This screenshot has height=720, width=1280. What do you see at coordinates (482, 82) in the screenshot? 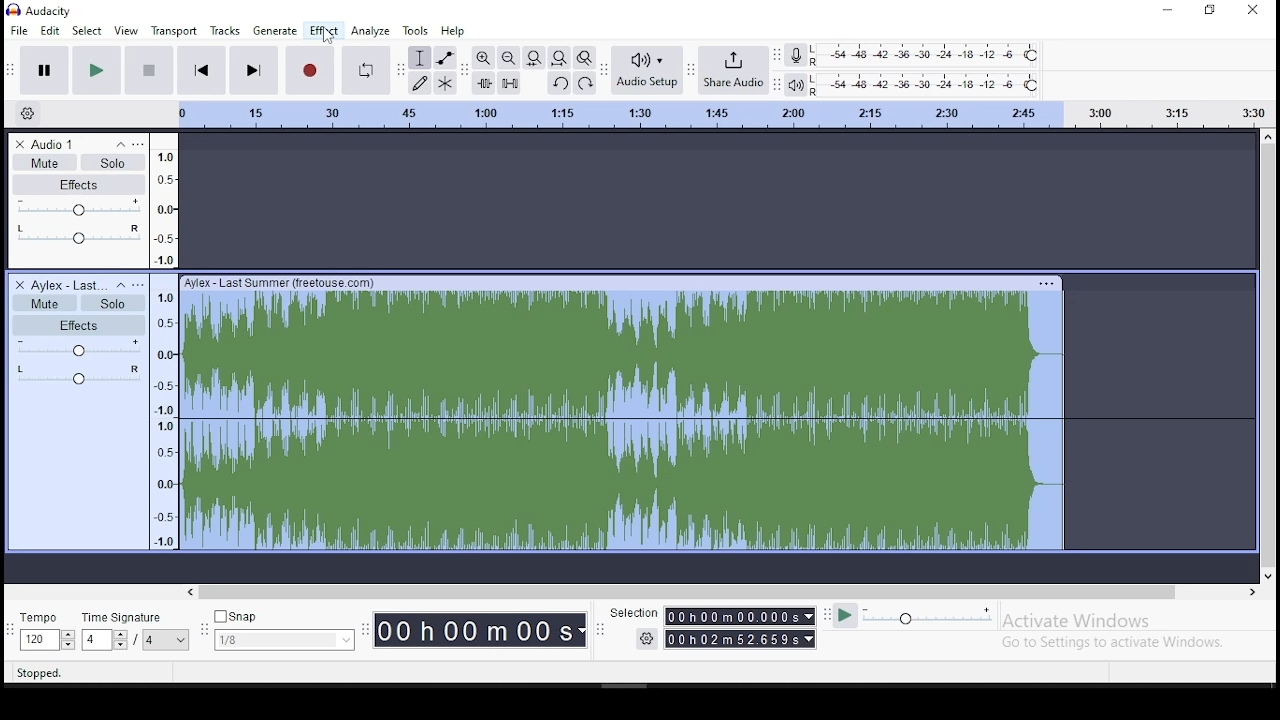
I see `trim audio outside selection` at bounding box center [482, 82].